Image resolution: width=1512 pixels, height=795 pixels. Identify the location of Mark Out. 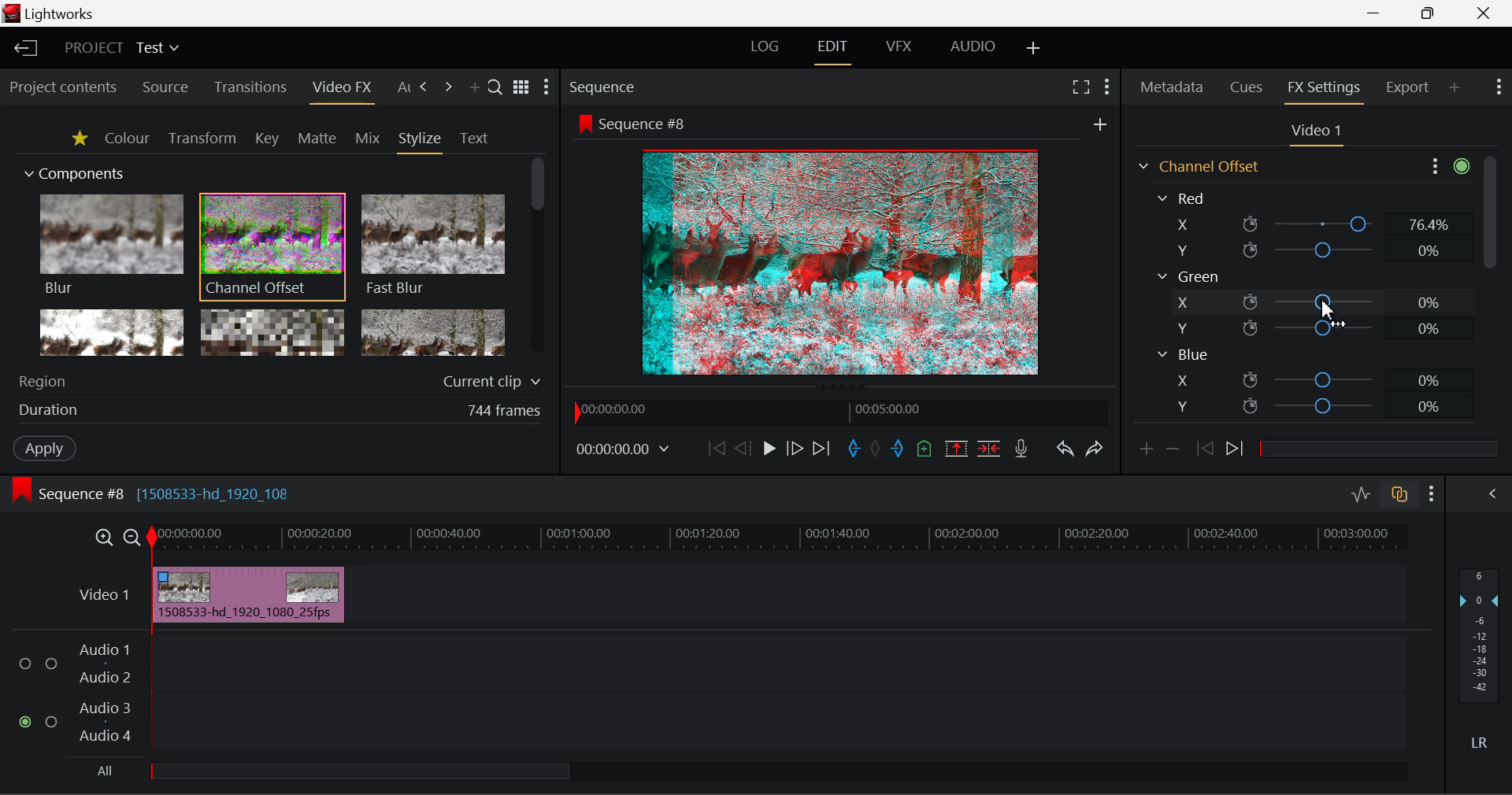
(896, 449).